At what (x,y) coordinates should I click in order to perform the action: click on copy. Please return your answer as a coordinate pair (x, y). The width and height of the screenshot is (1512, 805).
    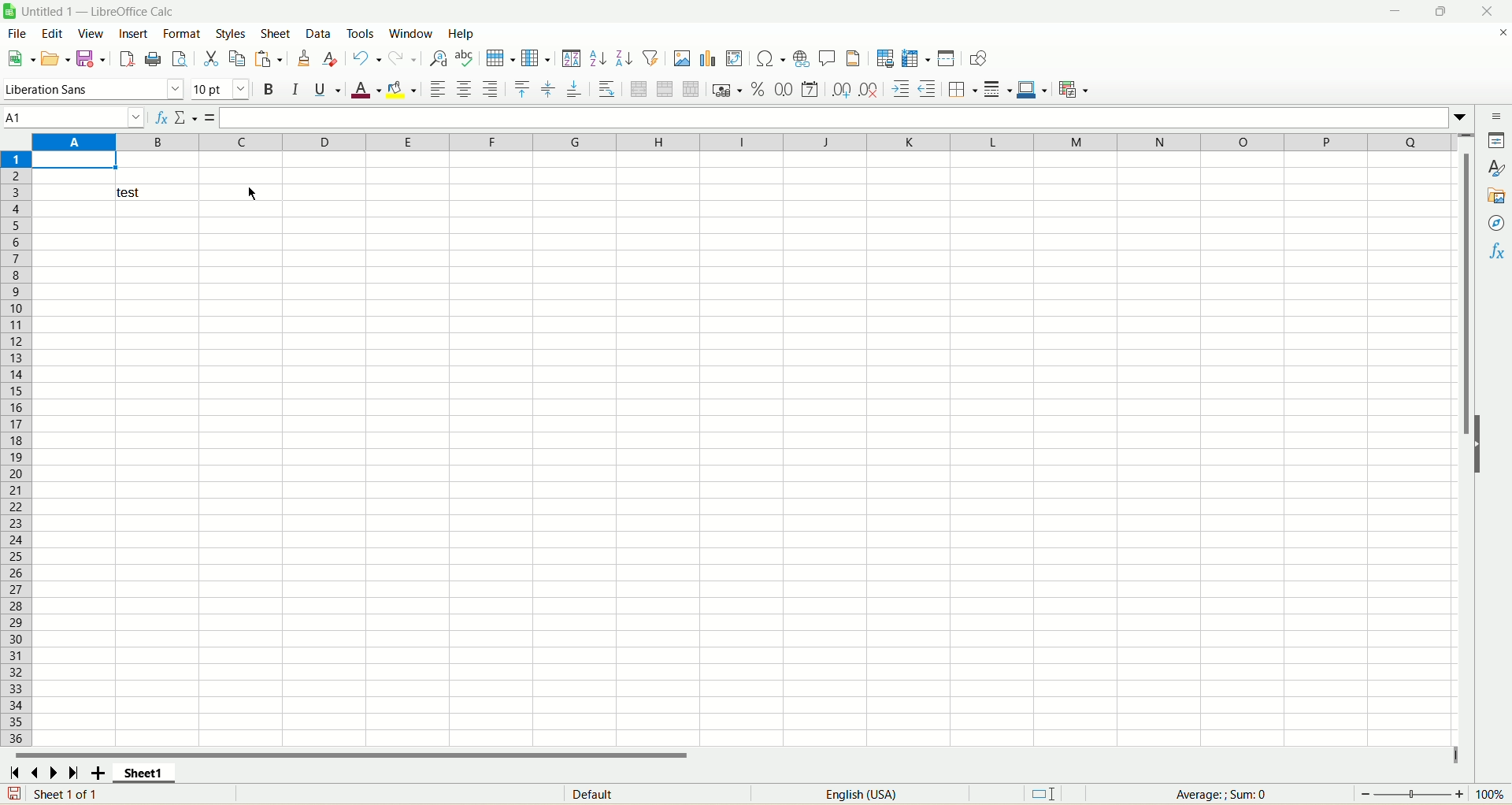
    Looking at the image, I should click on (238, 58).